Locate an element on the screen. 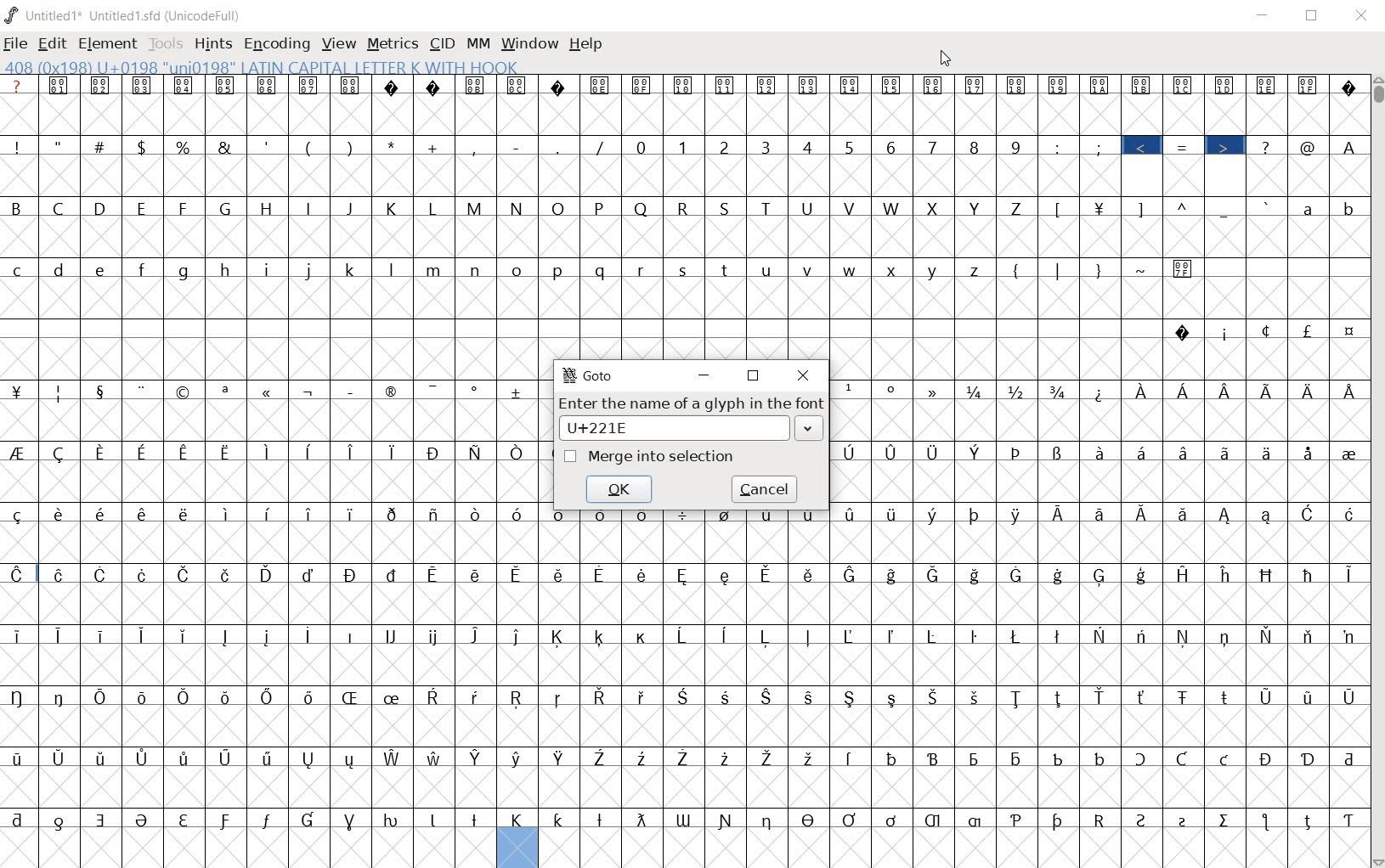 The image size is (1385, 868). special letters is located at coordinates (689, 759).